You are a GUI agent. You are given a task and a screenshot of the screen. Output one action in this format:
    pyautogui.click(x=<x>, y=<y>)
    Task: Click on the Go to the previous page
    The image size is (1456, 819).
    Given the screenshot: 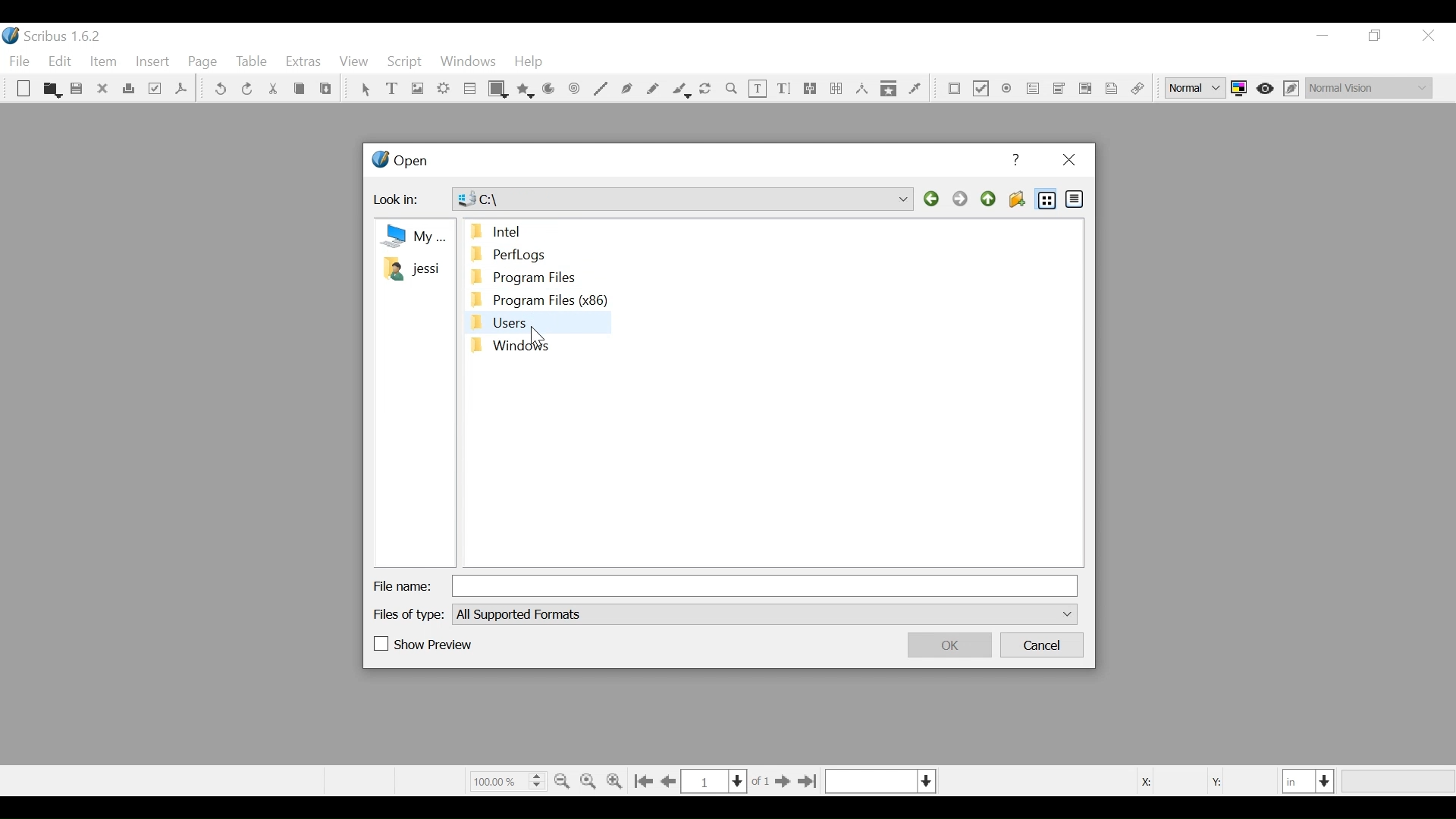 What is the action you would take?
    pyautogui.click(x=671, y=782)
    